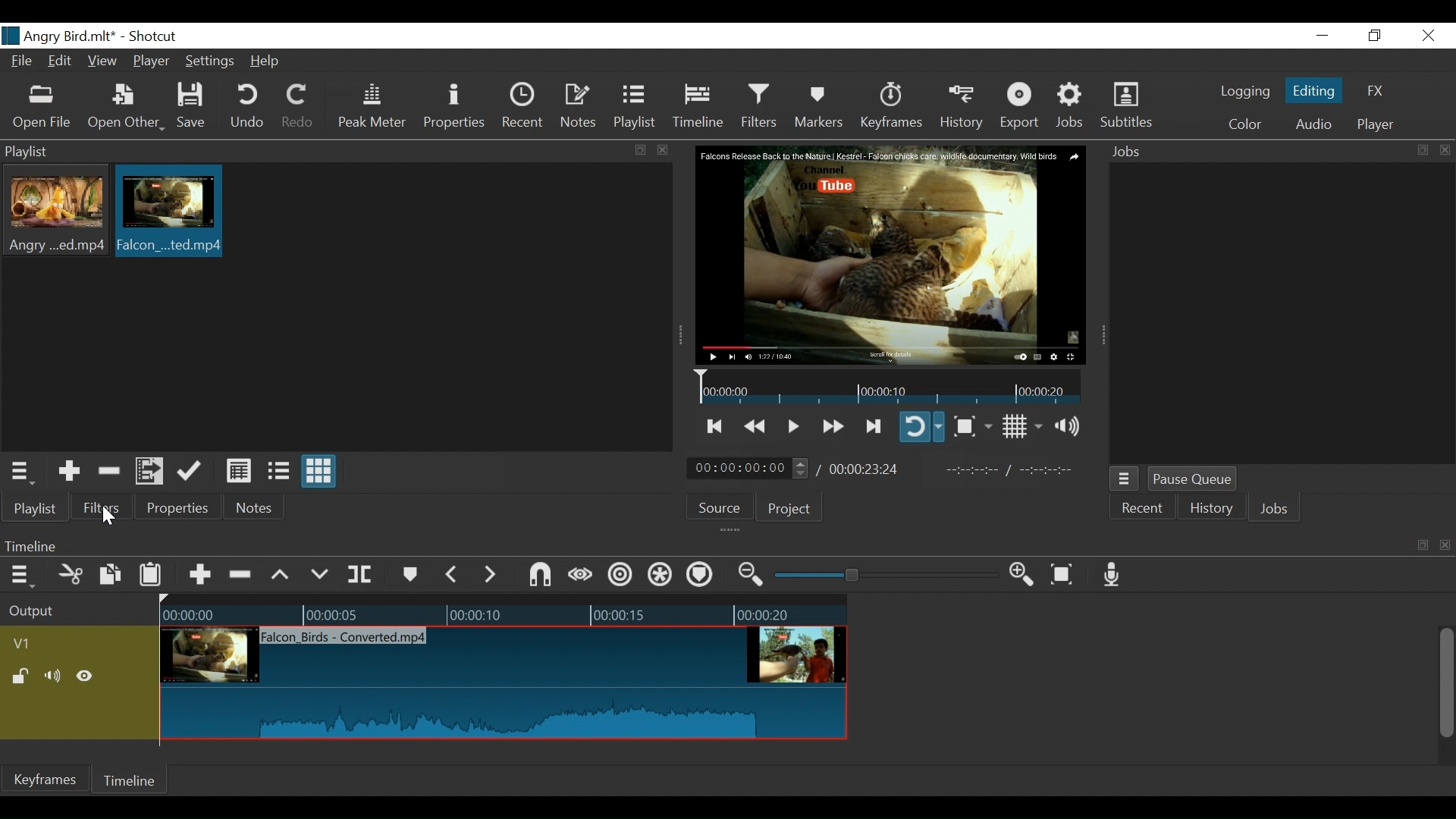  What do you see at coordinates (791, 428) in the screenshot?
I see `Toggle play or pause (Space)` at bounding box center [791, 428].